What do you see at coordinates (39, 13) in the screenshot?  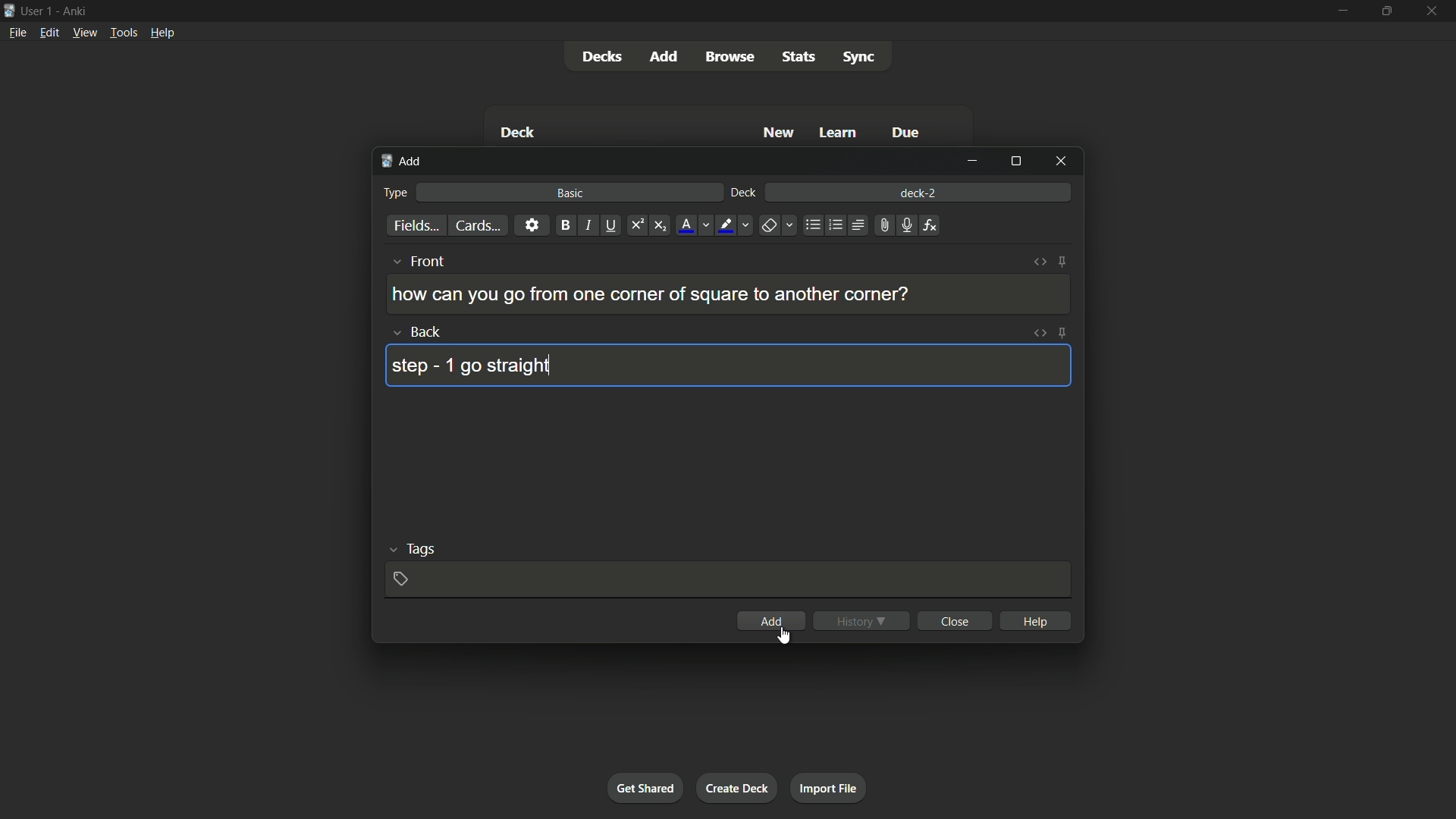 I see `user 1` at bounding box center [39, 13].